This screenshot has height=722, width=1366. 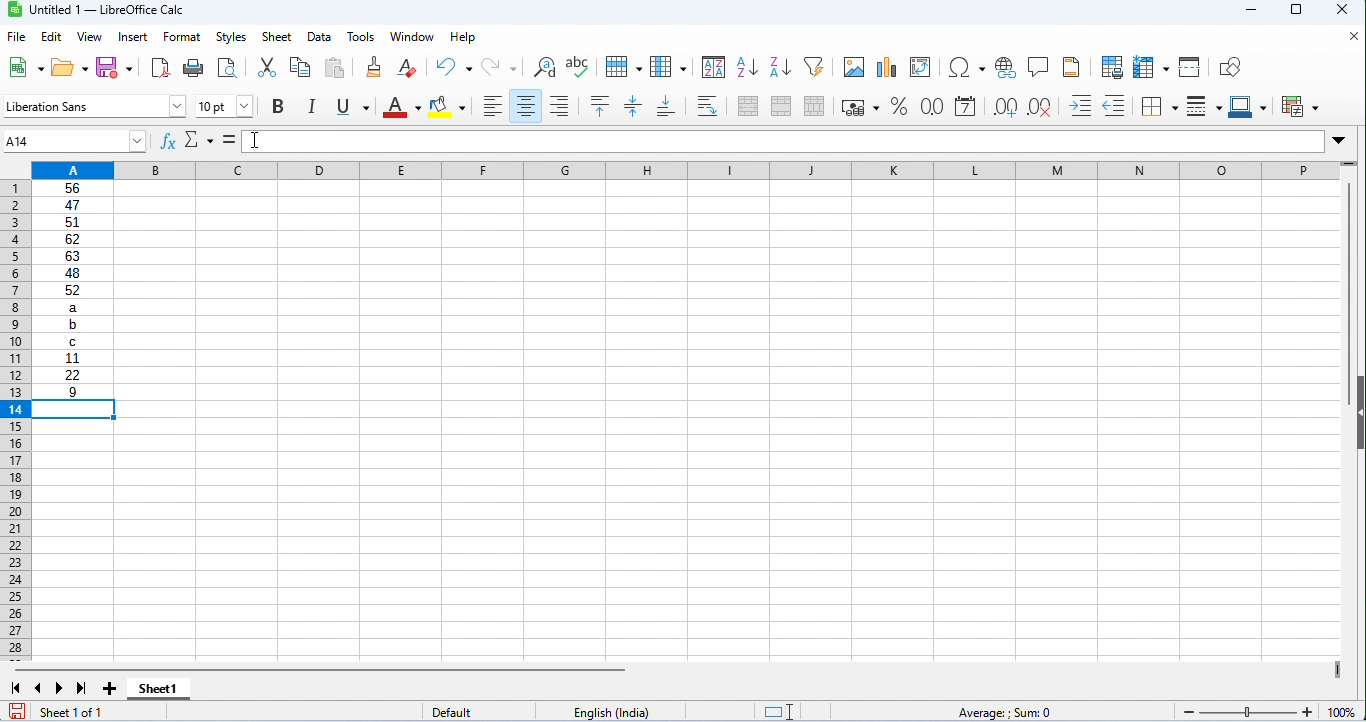 I want to click on drop down for font options, so click(x=178, y=106).